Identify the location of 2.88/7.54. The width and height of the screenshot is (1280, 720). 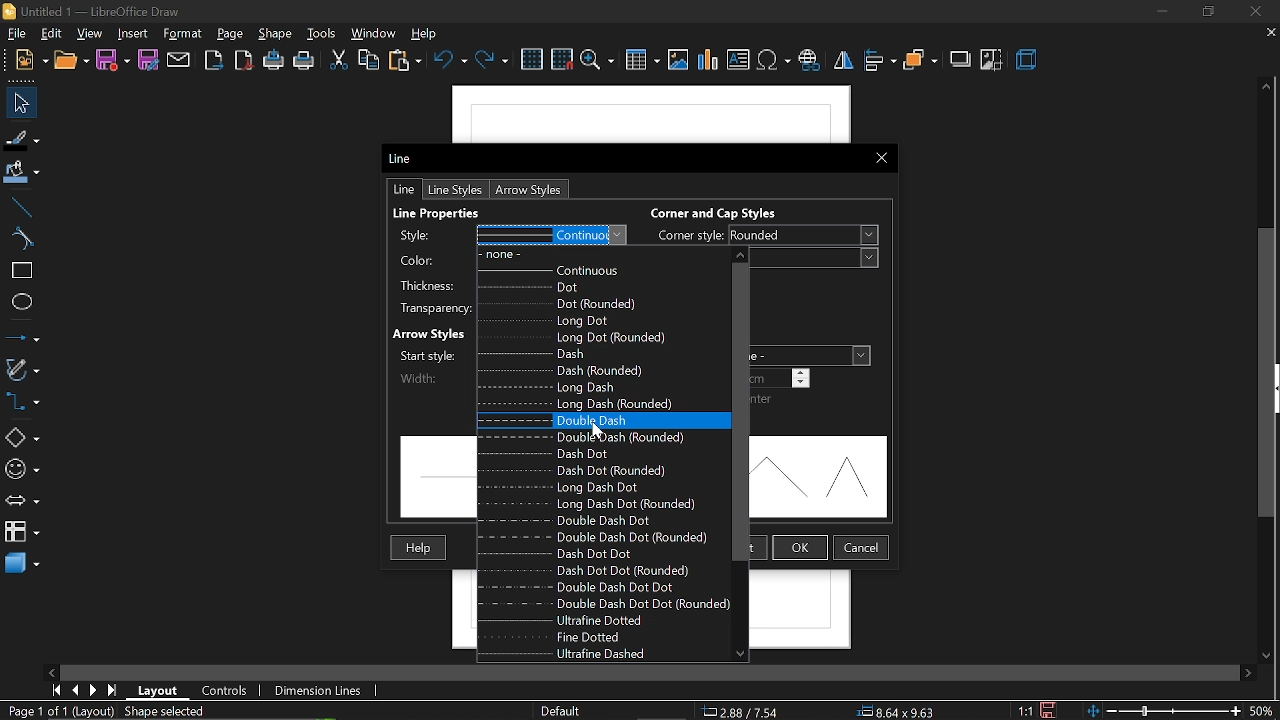
(742, 710).